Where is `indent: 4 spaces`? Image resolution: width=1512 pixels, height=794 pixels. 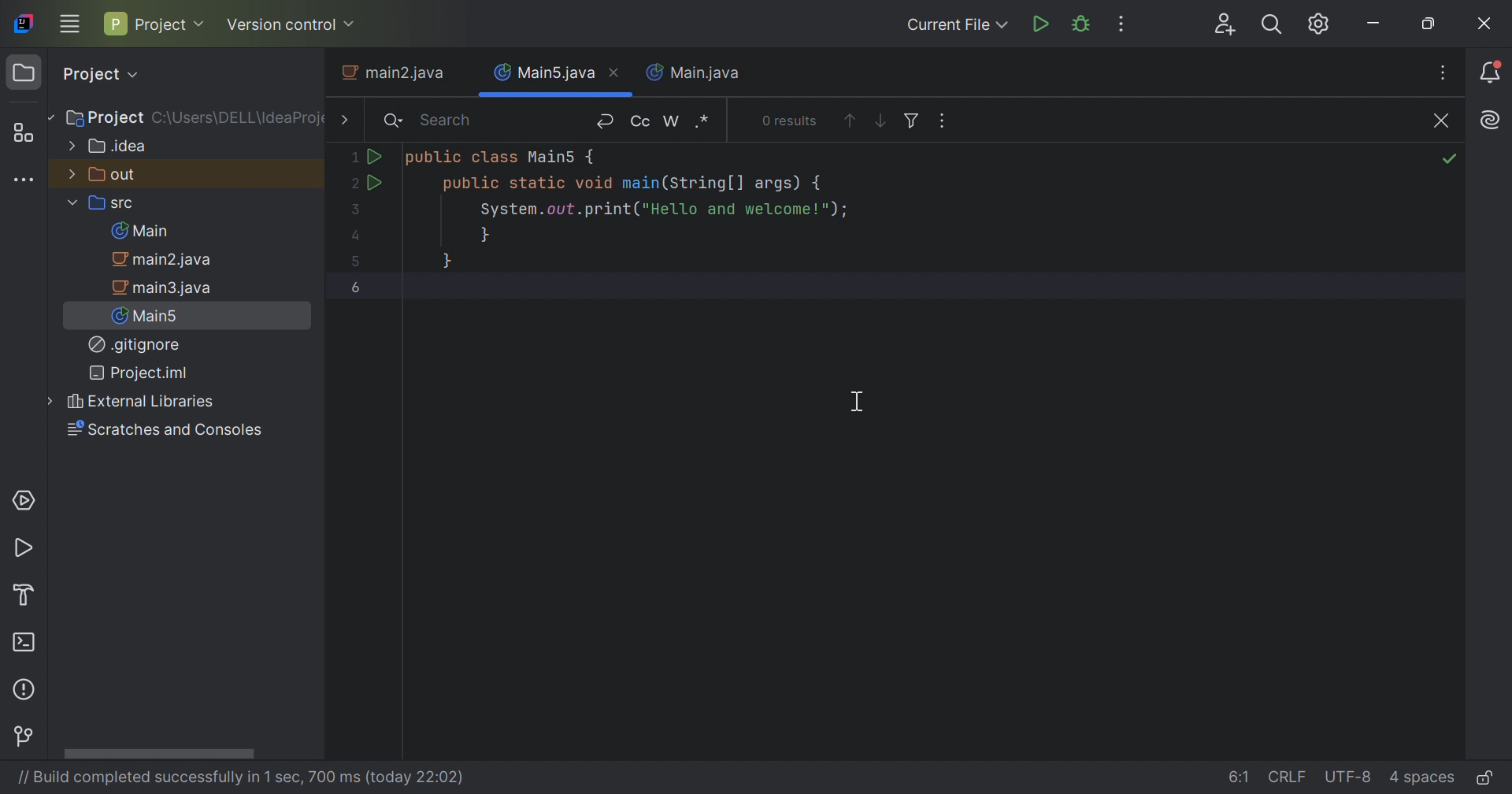 indent: 4 spaces is located at coordinates (1422, 780).